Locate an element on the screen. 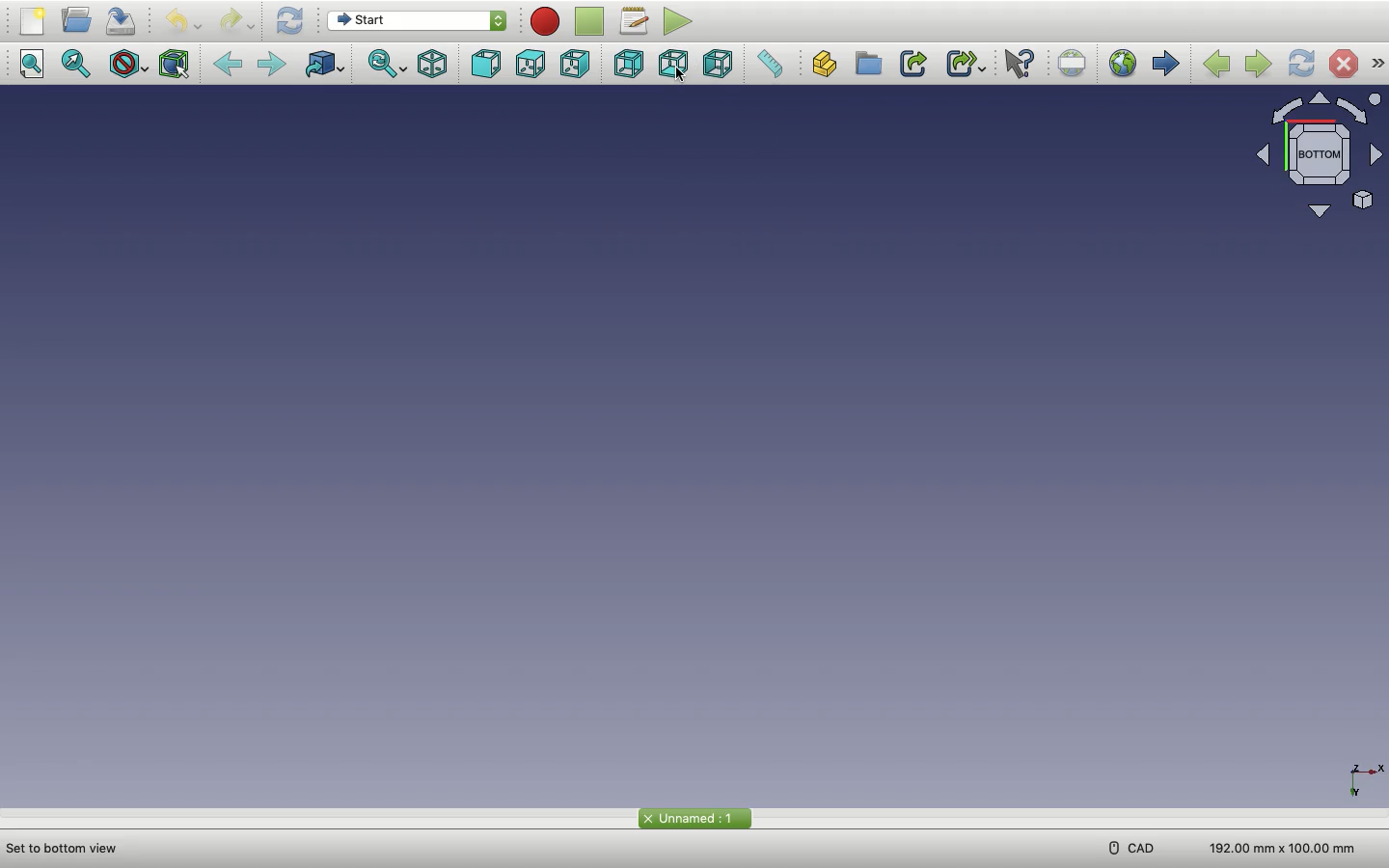  Make sub-link is located at coordinates (966, 65).